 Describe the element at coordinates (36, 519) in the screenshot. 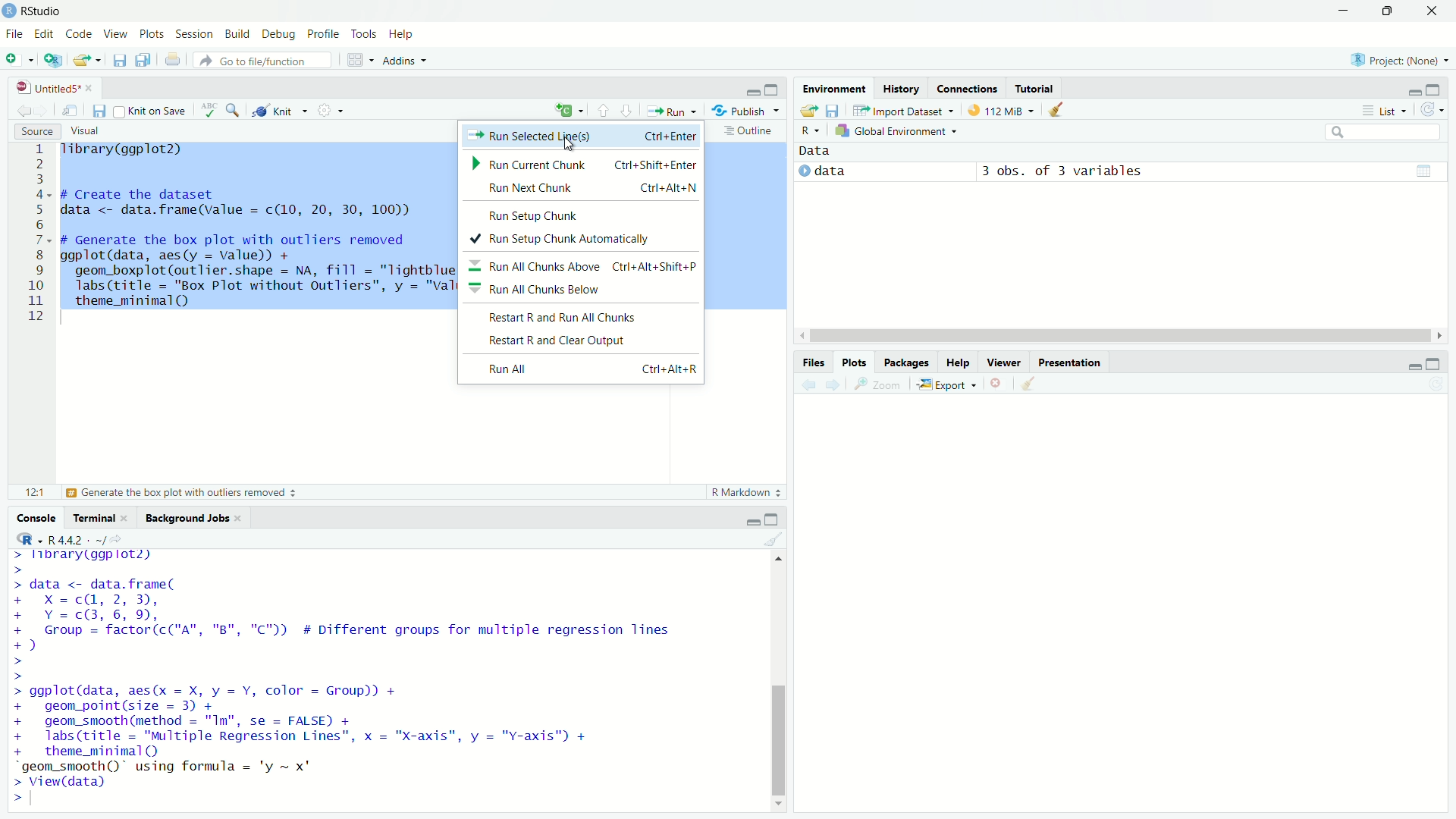

I see `Console` at that location.